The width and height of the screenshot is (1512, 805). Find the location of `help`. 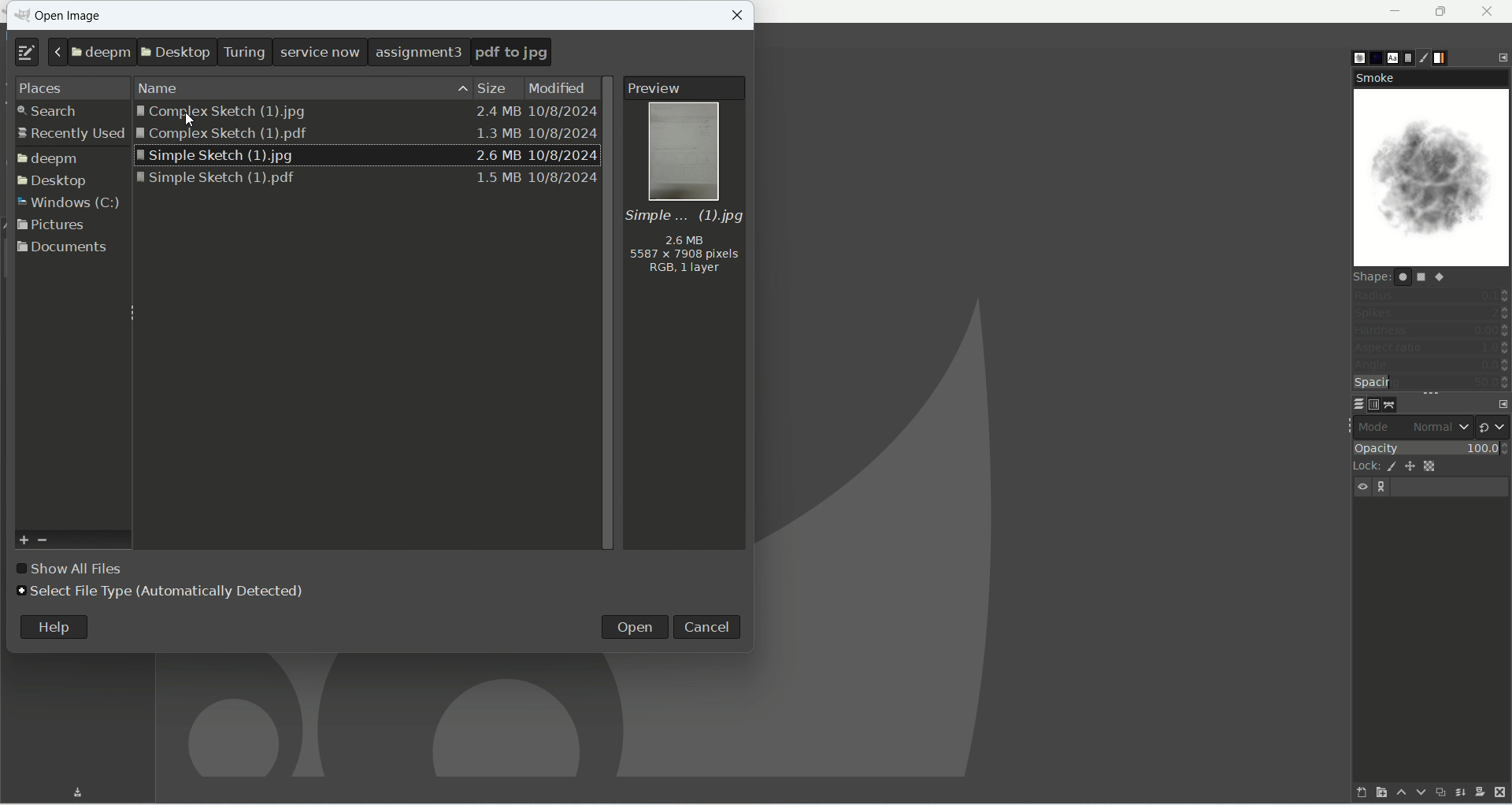

help is located at coordinates (54, 628).